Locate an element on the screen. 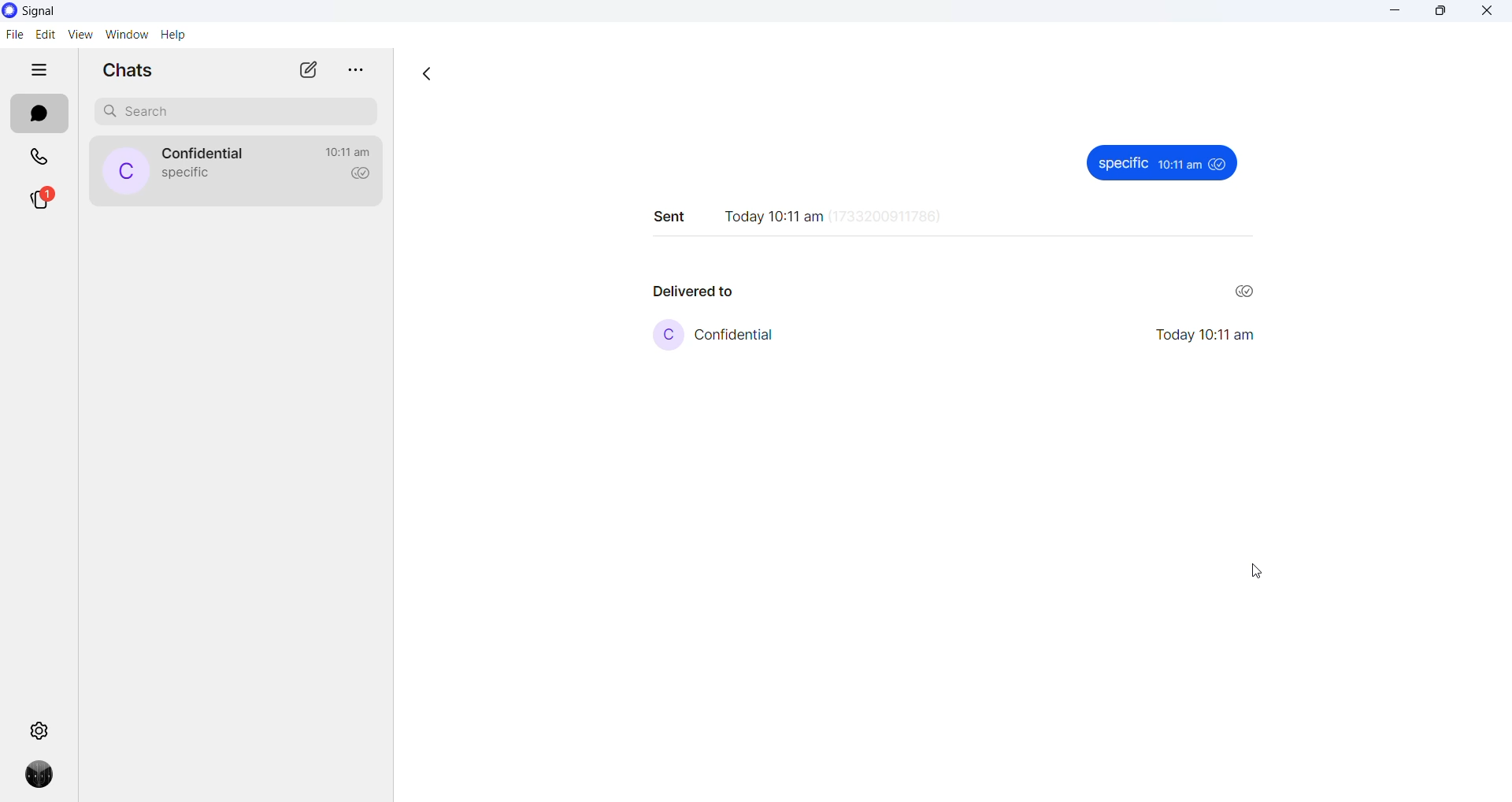 Image resolution: width=1512 pixels, height=802 pixels. delivered to text is located at coordinates (690, 289).